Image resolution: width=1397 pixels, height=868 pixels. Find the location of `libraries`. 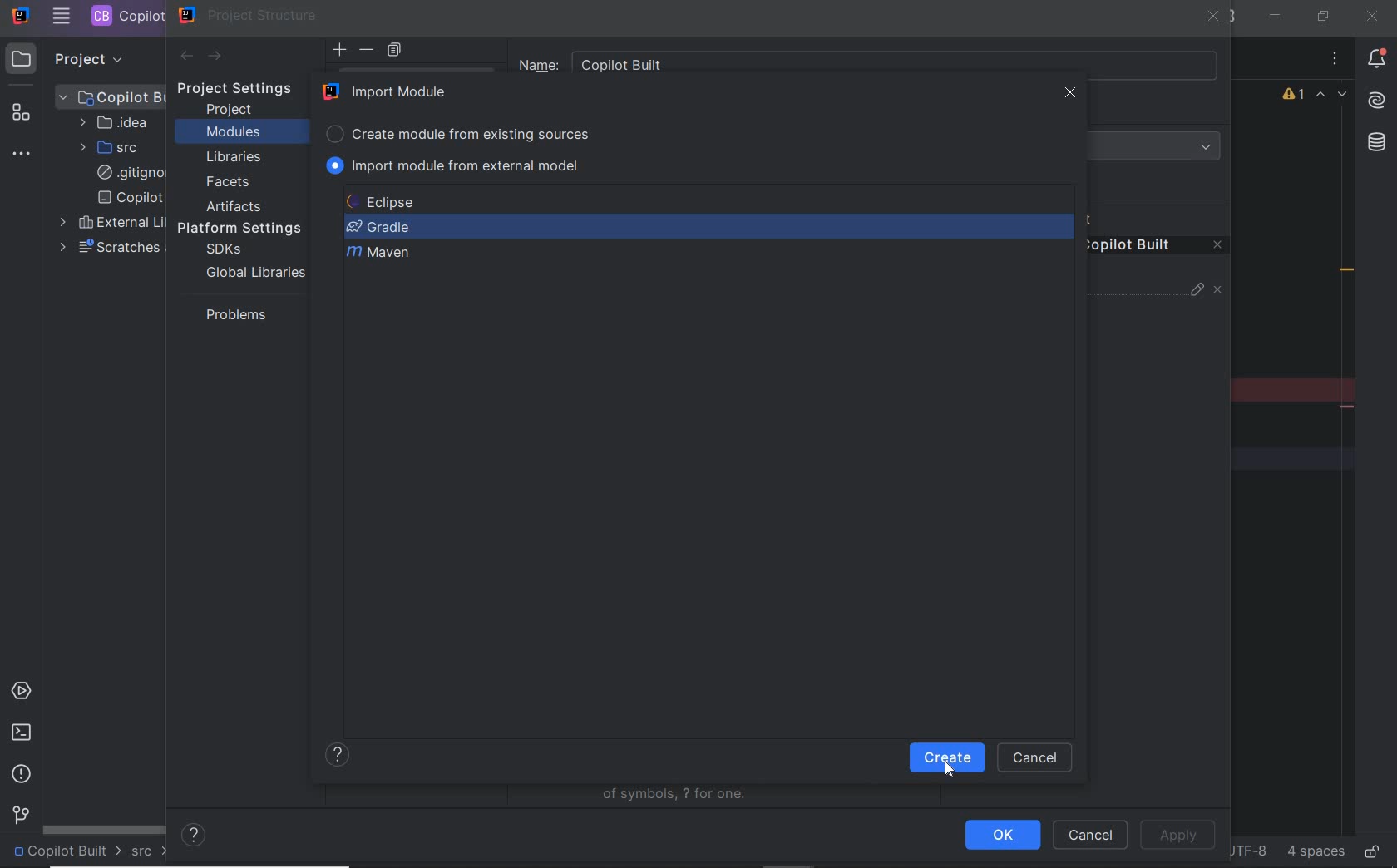

libraries is located at coordinates (234, 158).